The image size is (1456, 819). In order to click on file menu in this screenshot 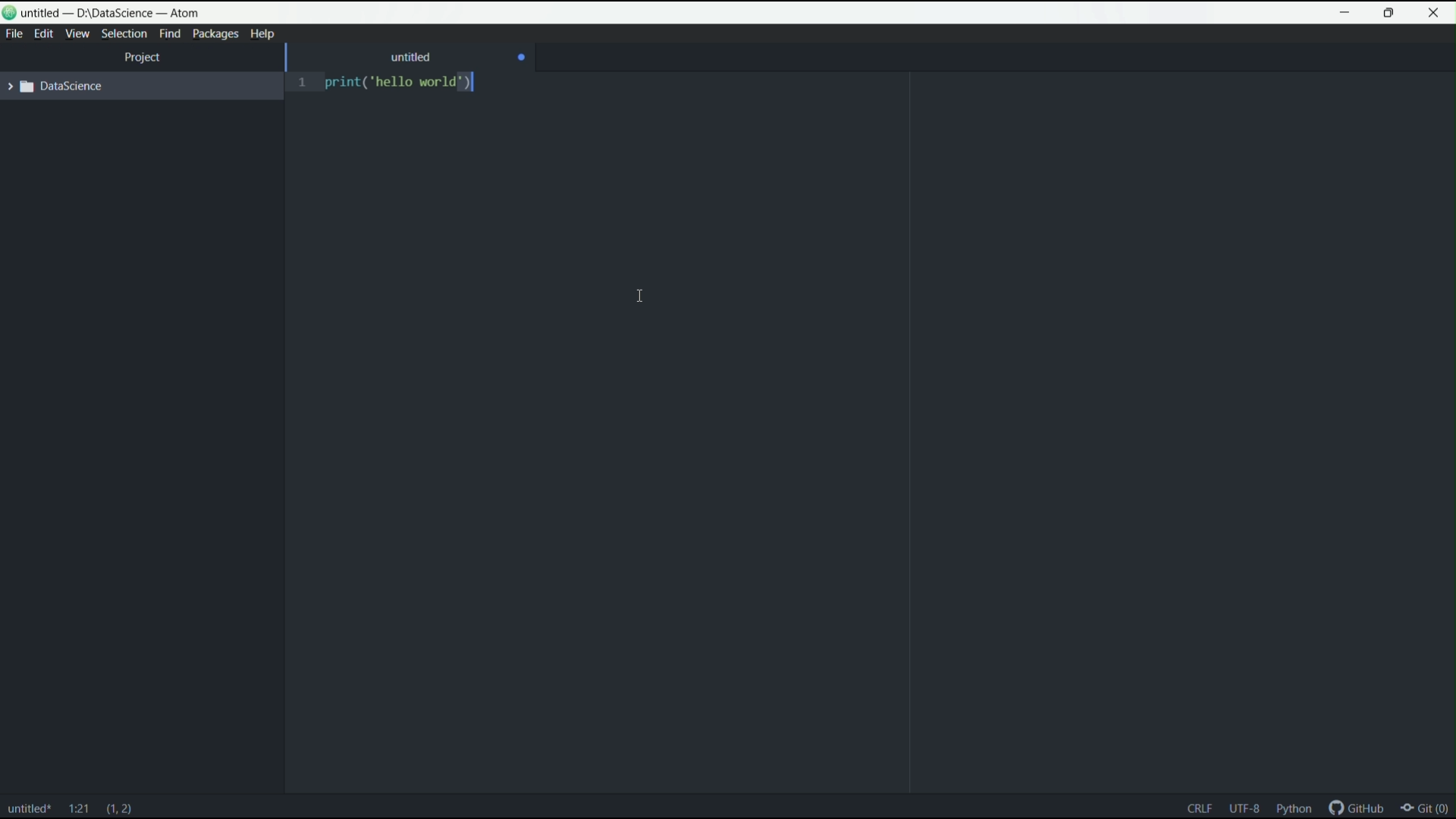, I will do `click(14, 34)`.